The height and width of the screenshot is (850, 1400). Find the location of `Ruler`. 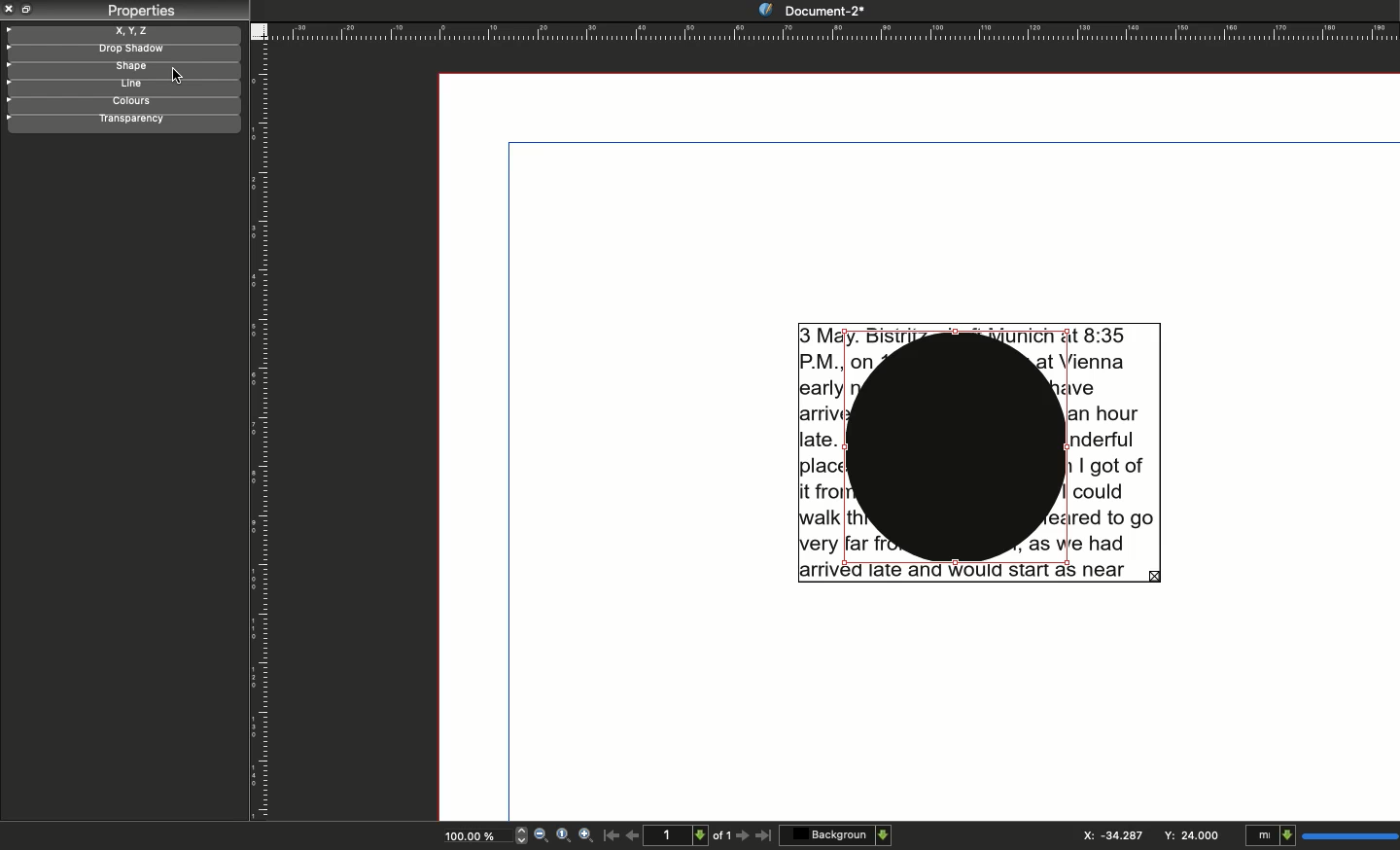

Ruler is located at coordinates (258, 431).